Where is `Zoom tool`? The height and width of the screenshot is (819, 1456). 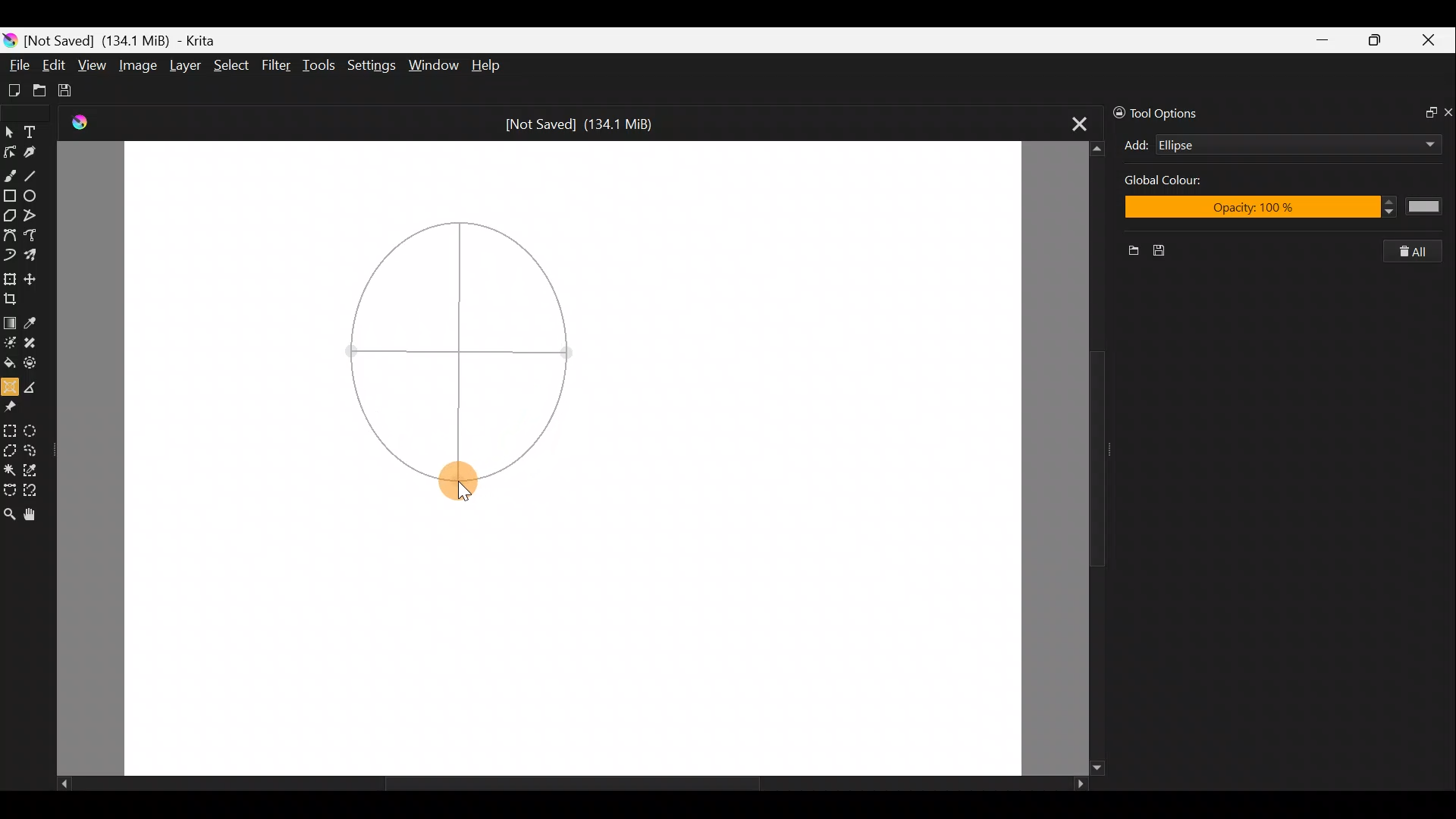 Zoom tool is located at coordinates (9, 513).